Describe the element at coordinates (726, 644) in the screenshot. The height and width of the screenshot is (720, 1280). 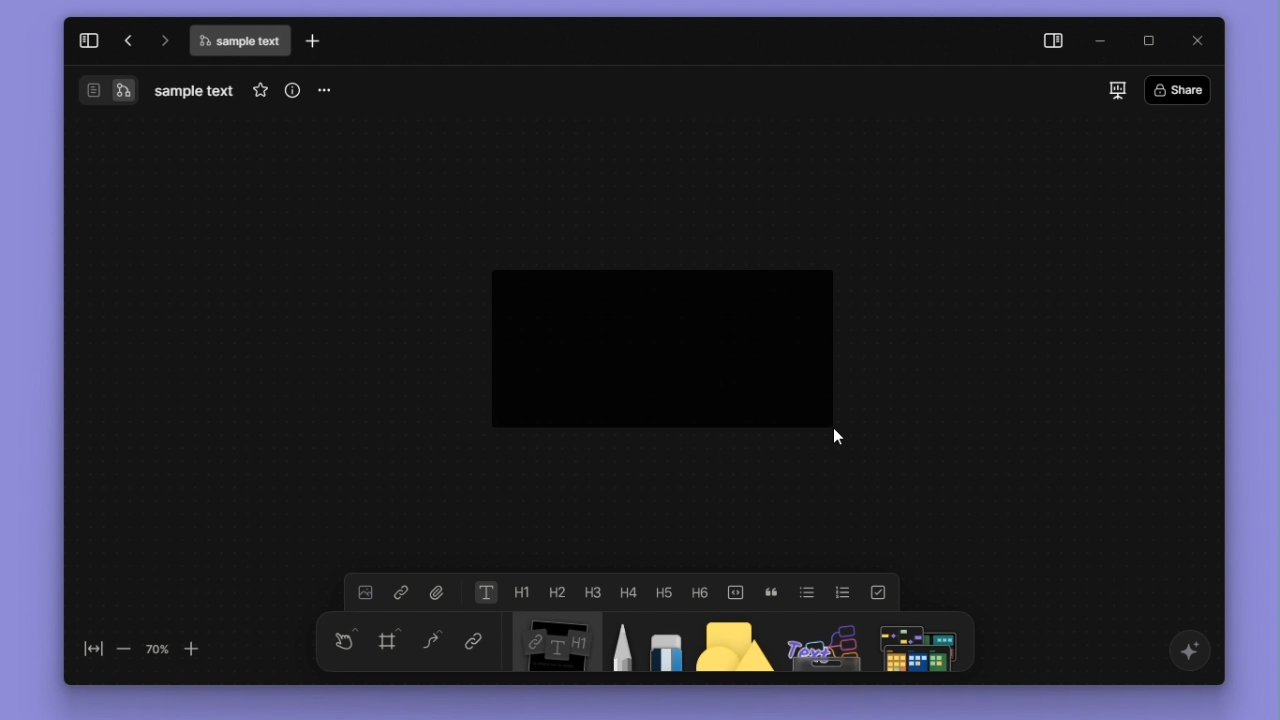
I see `shape` at that location.